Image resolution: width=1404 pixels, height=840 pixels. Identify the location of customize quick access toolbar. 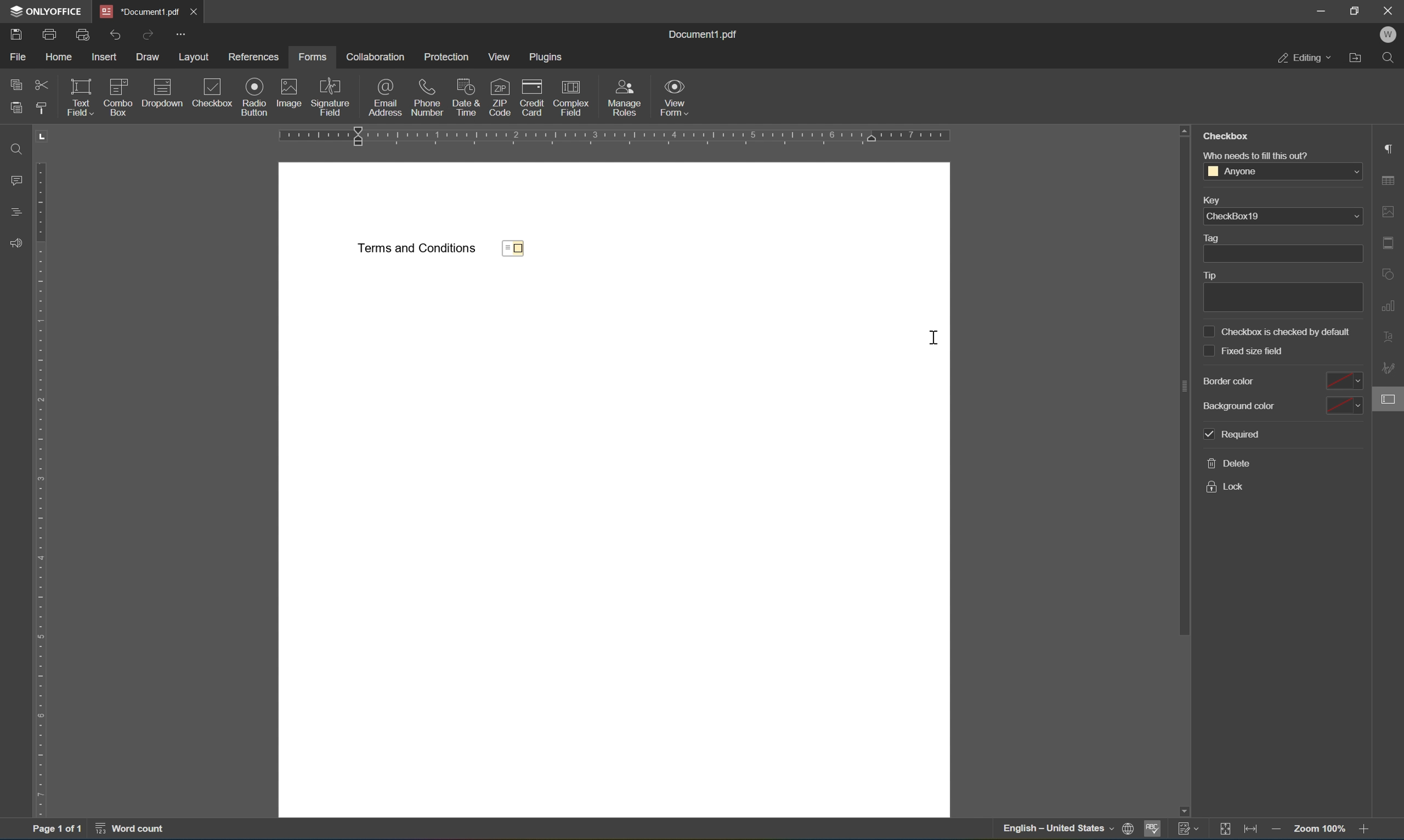
(181, 33).